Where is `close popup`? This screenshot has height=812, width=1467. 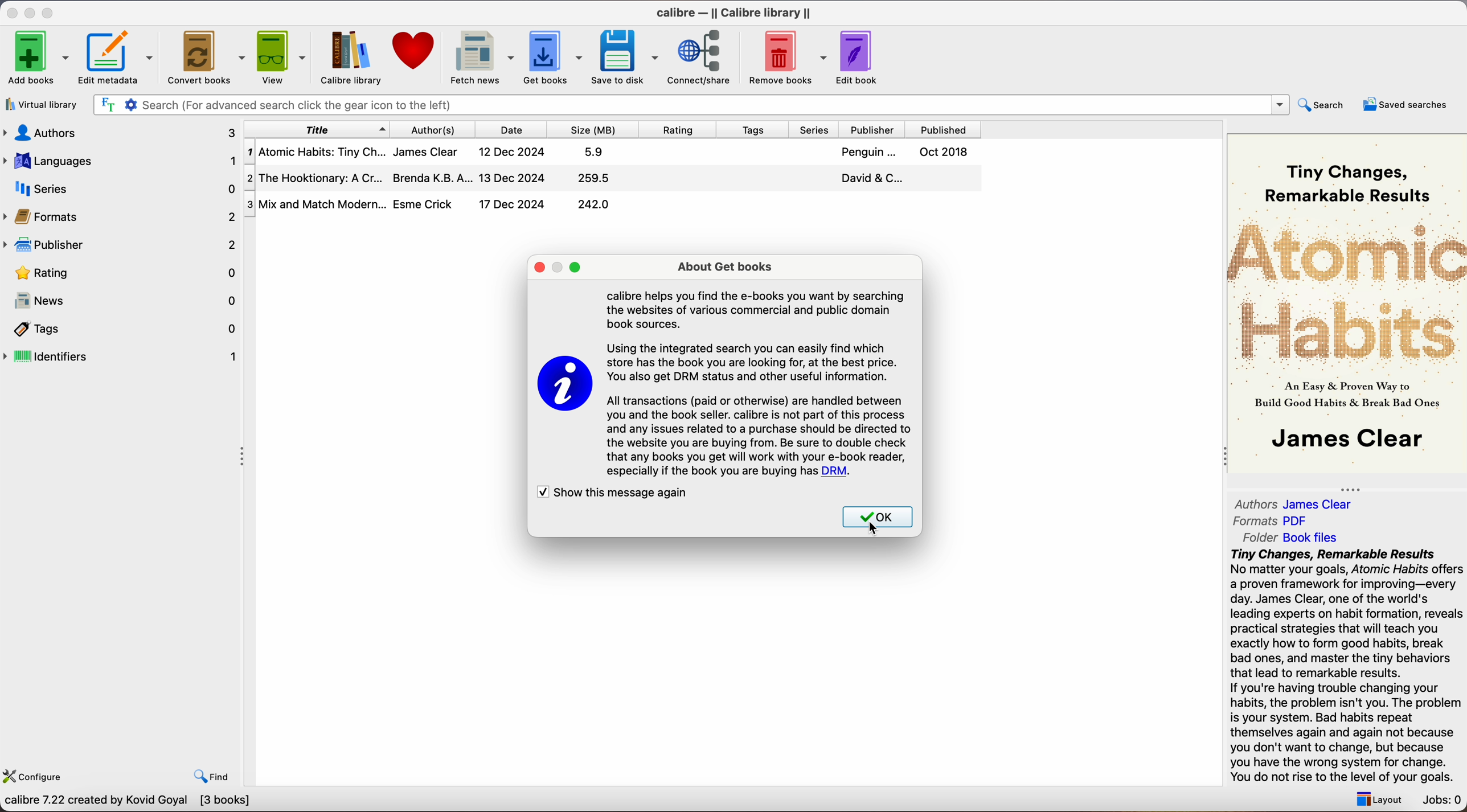 close popup is located at coordinates (538, 268).